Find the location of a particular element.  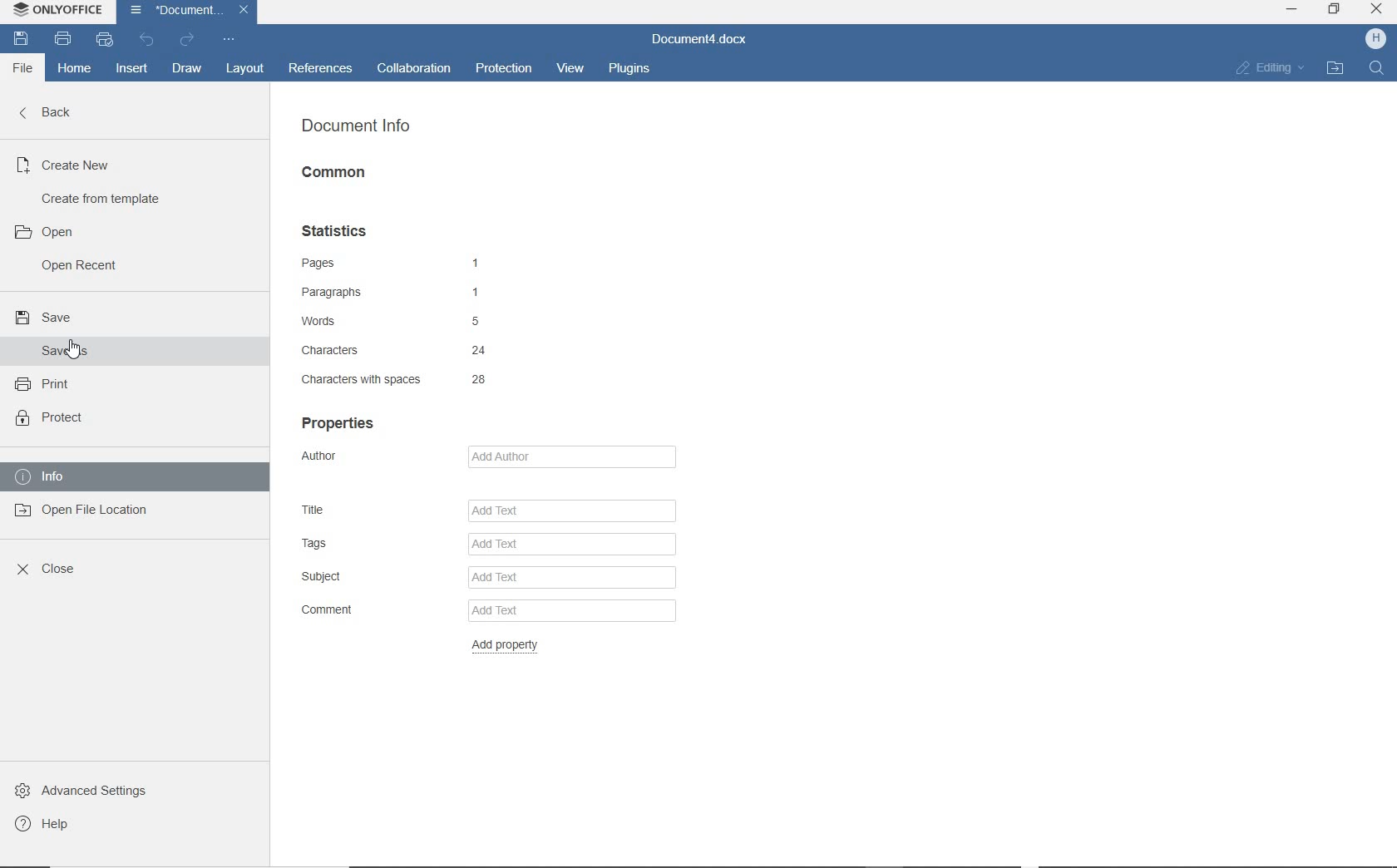

open file location is located at coordinates (1336, 70).